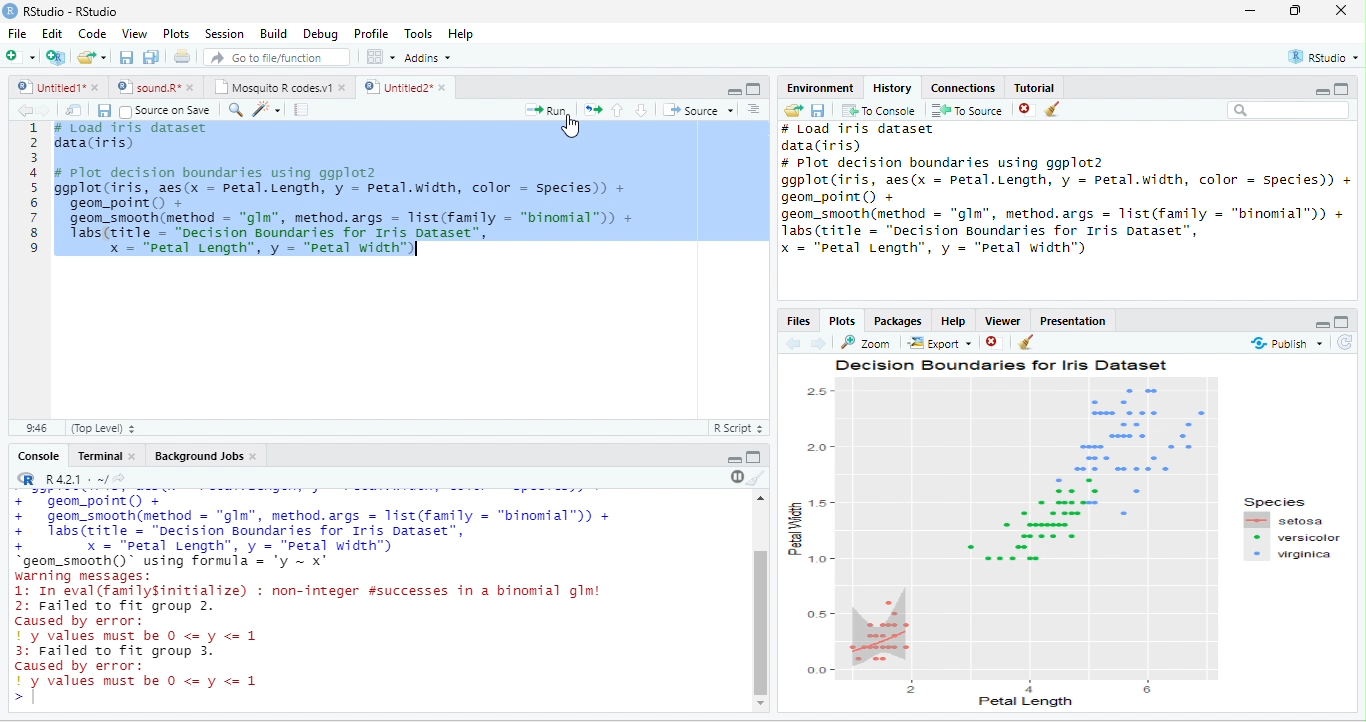 This screenshot has height=722, width=1366. What do you see at coordinates (37, 270) in the screenshot?
I see `Line numbering` at bounding box center [37, 270].